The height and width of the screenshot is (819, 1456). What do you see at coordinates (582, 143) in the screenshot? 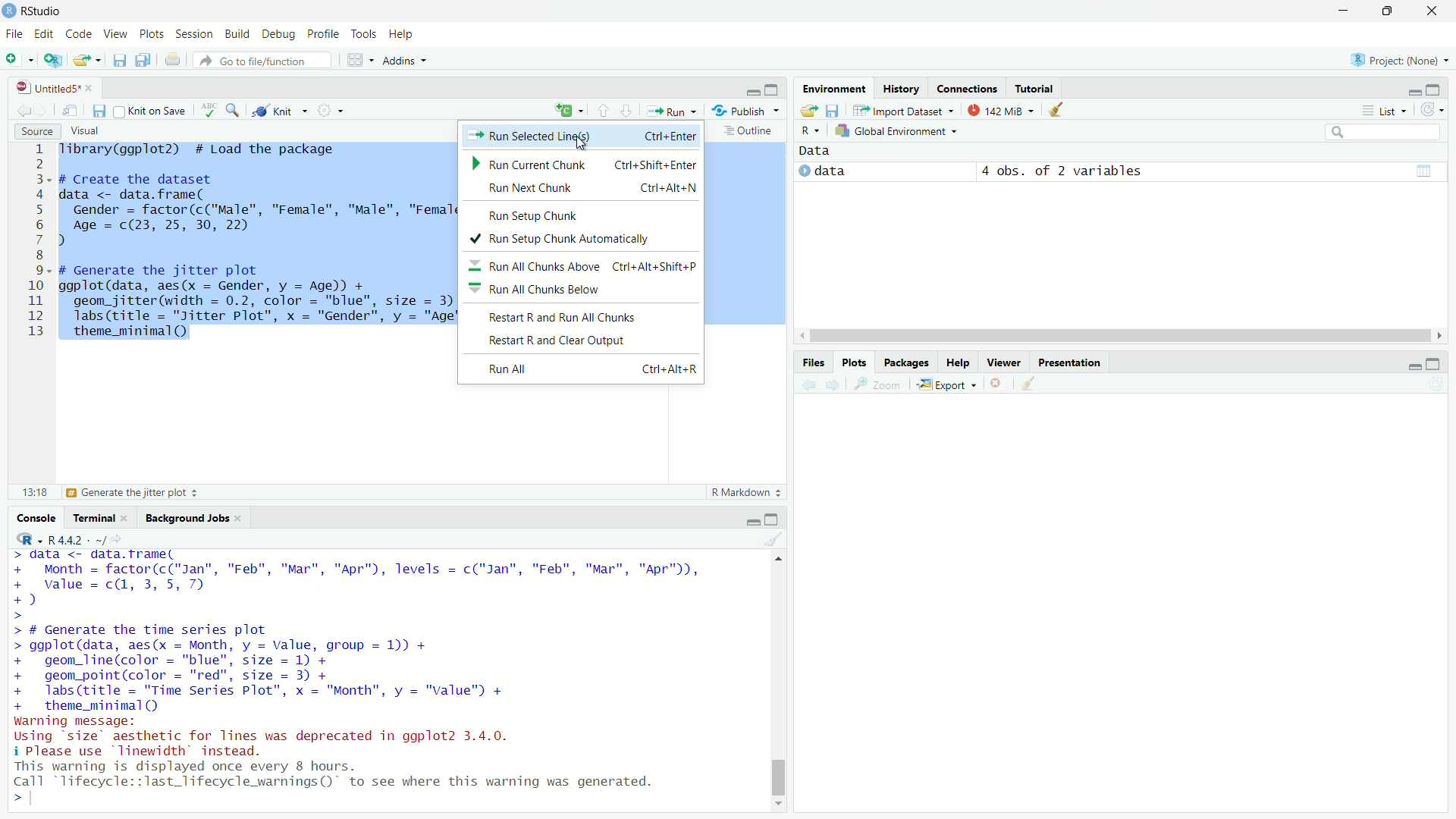
I see `cursor` at bounding box center [582, 143].